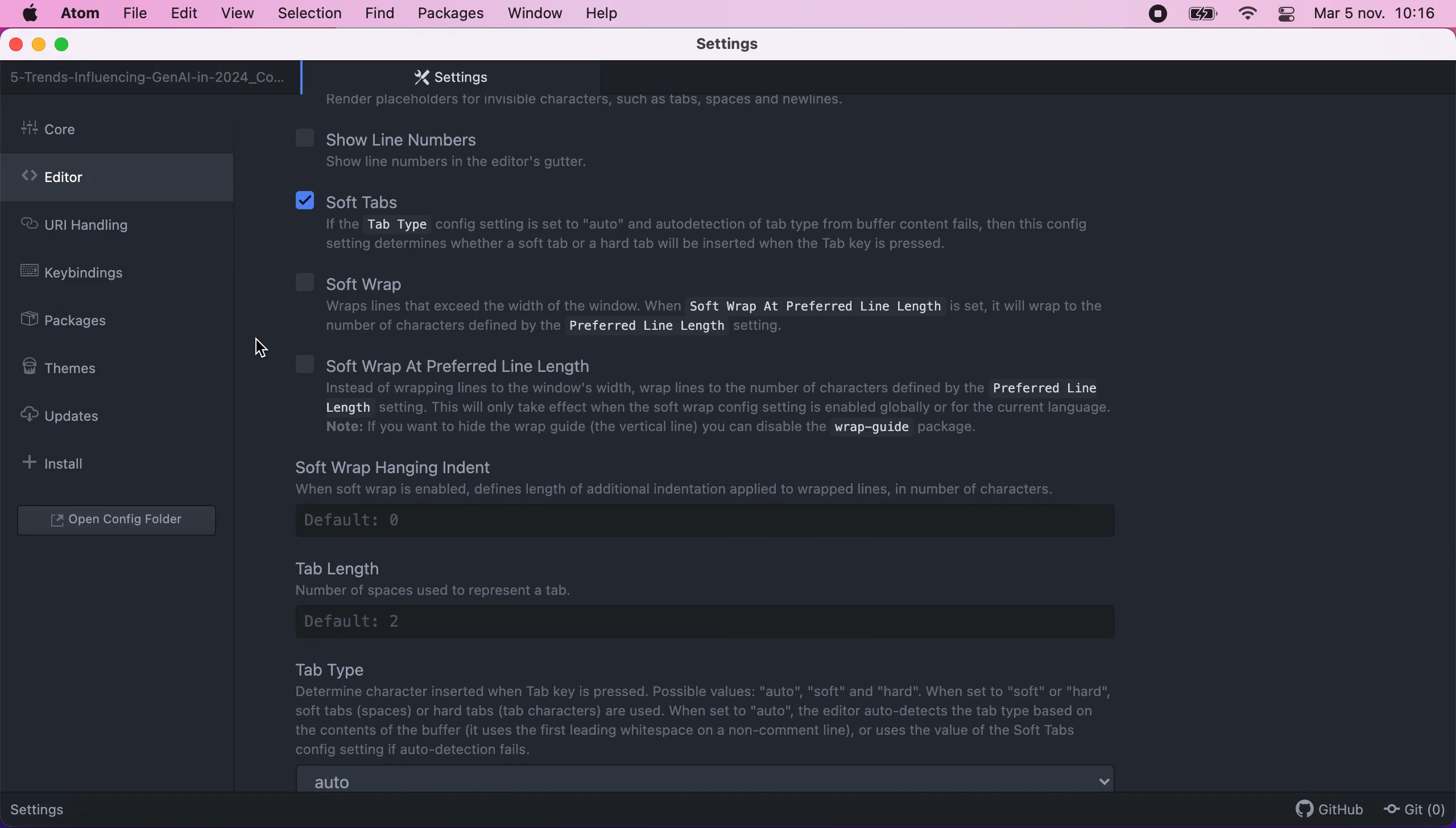  What do you see at coordinates (17, 45) in the screenshot?
I see `close` at bounding box center [17, 45].